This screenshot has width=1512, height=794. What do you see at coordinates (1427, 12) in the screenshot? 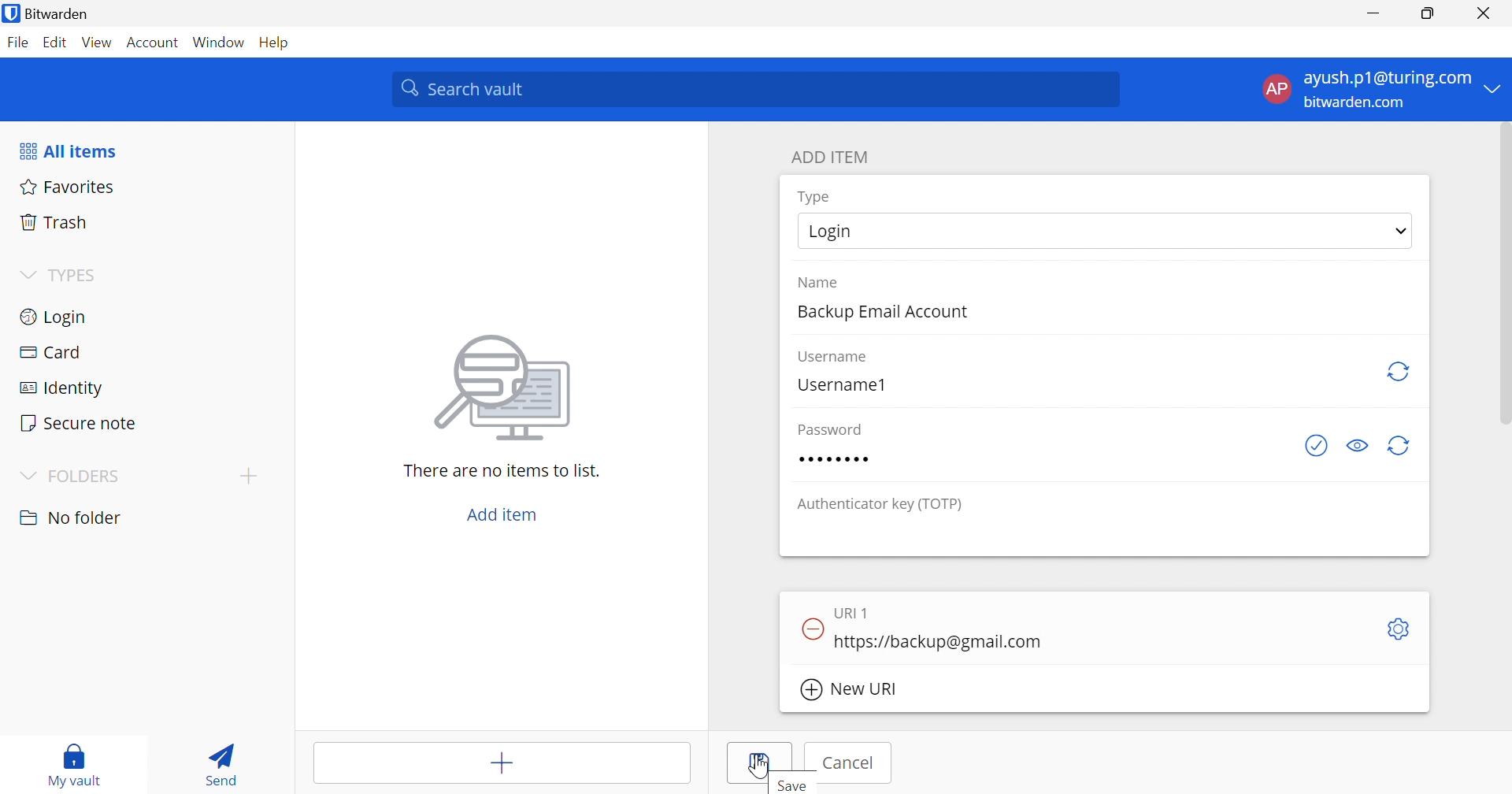
I see `Restore Down` at bounding box center [1427, 12].